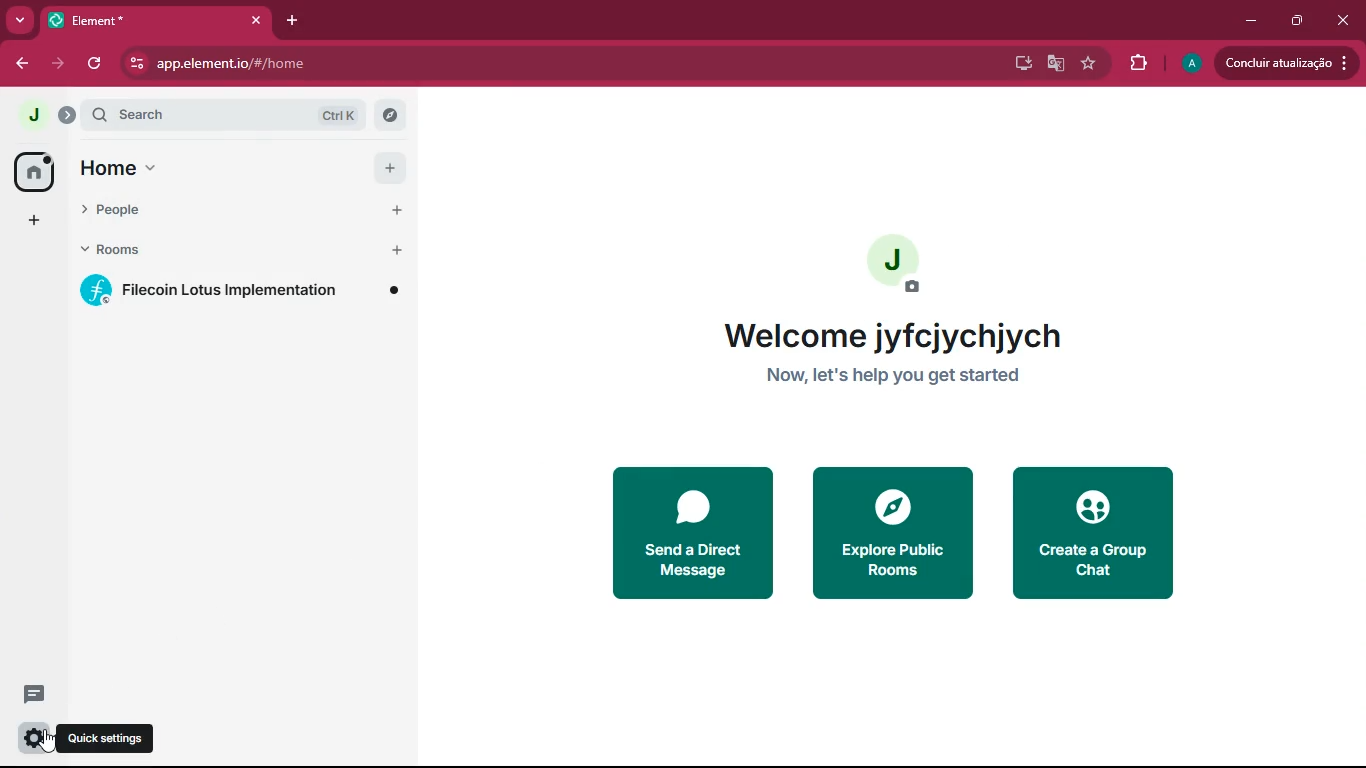 Image resolution: width=1366 pixels, height=768 pixels. Describe the element at coordinates (692, 533) in the screenshot. I see `send a direct message` at that location.